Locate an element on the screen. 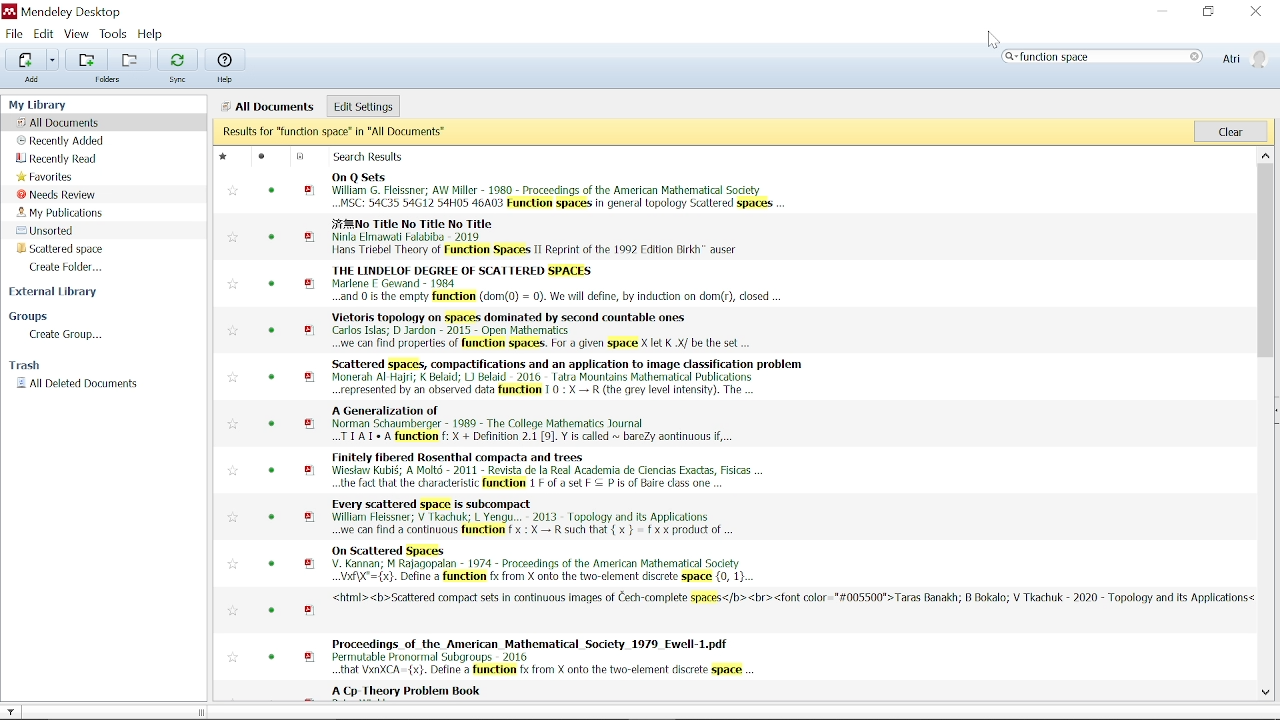  Finitely fibered Rosenthal compacta and trees Wiestaws Kubié; A Molt - 2011 - Revita de la Real Academia de Ciencias Exactas, Fisicasthe fact that the characteristic function 1 F of a sel F = P is of Baire lass one is located at coordinates (756, 470).